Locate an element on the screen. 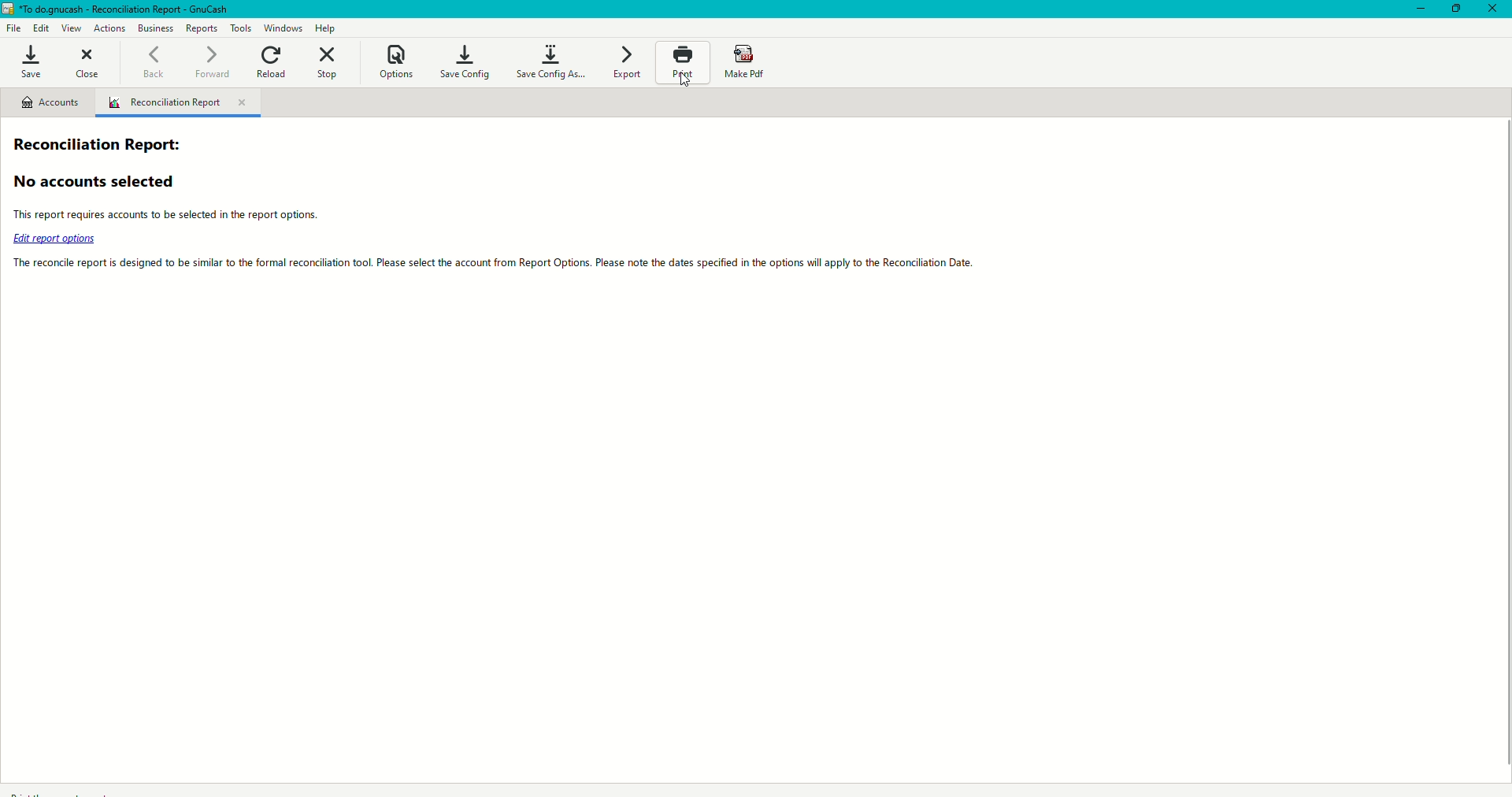 This screenshot has height=797, width=1512. The reconcile report is designed to be similar to the formal reconciliation tool. Please select the account from report Options.Please note the dates specified in the options will apply to the reconciliation data is located at coordinates (496, 264).